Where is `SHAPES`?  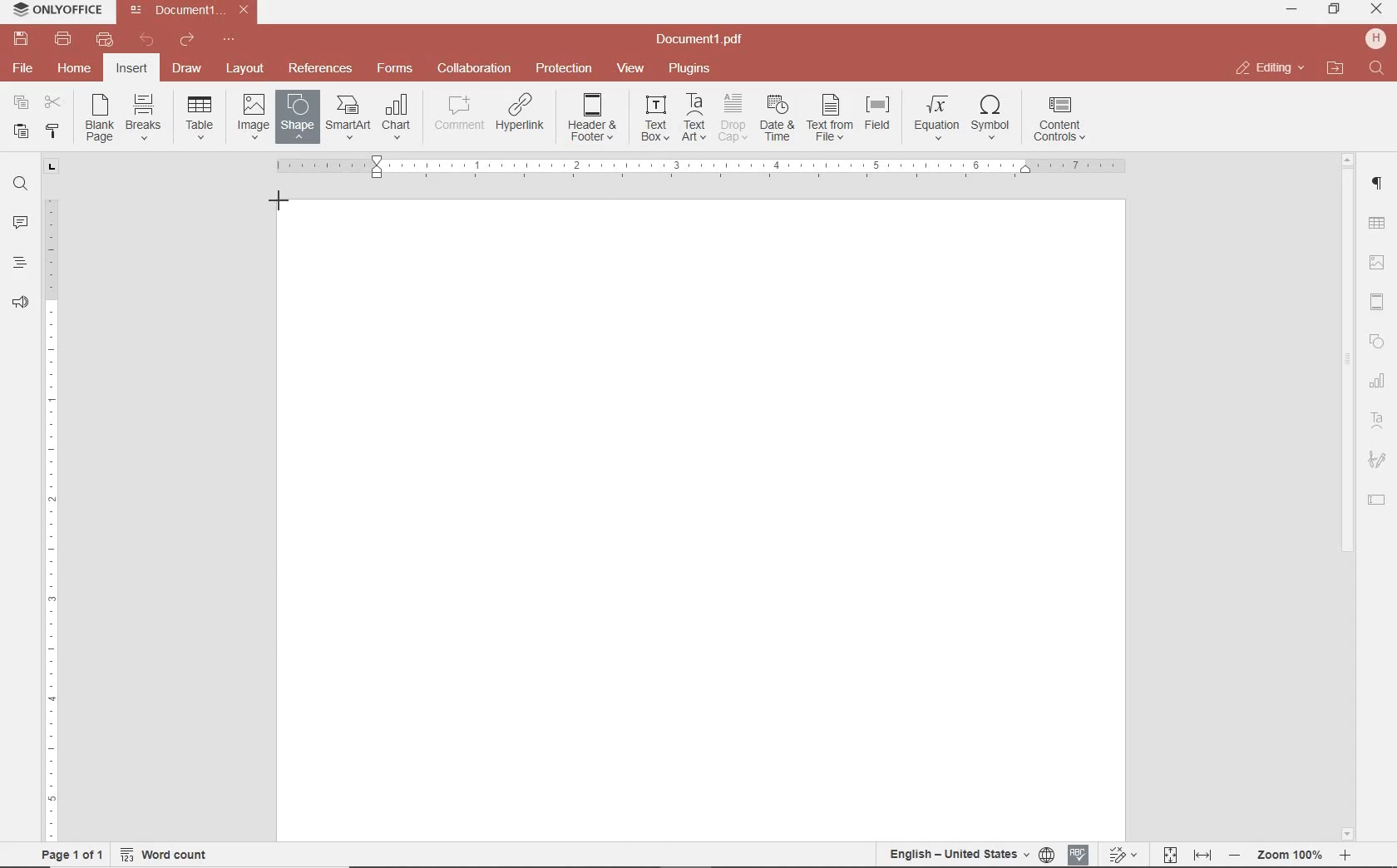
SHAPES is located at coordinates (1378, 343).